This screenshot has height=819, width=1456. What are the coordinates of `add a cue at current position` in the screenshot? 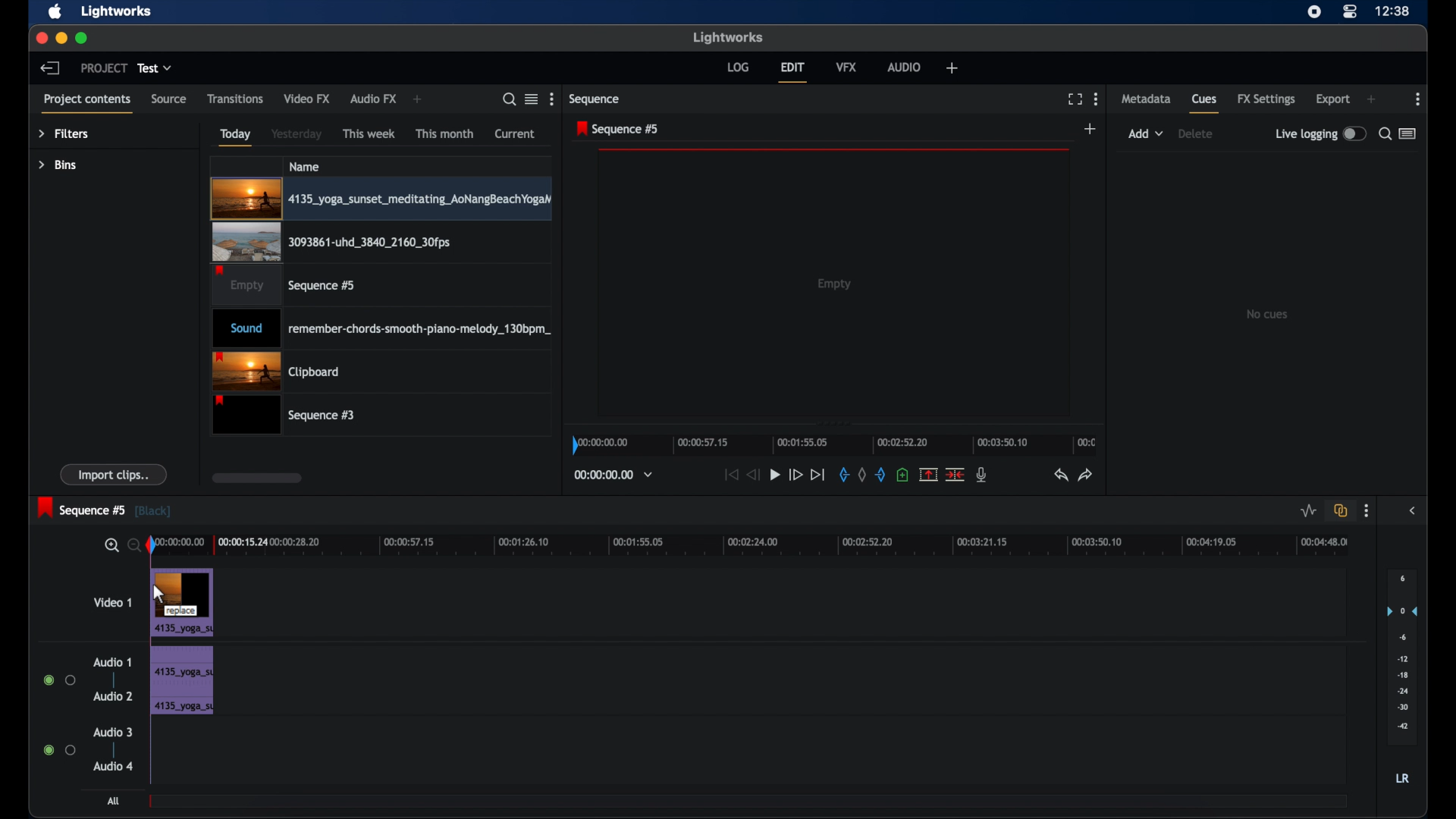 It's located at (904, 475).